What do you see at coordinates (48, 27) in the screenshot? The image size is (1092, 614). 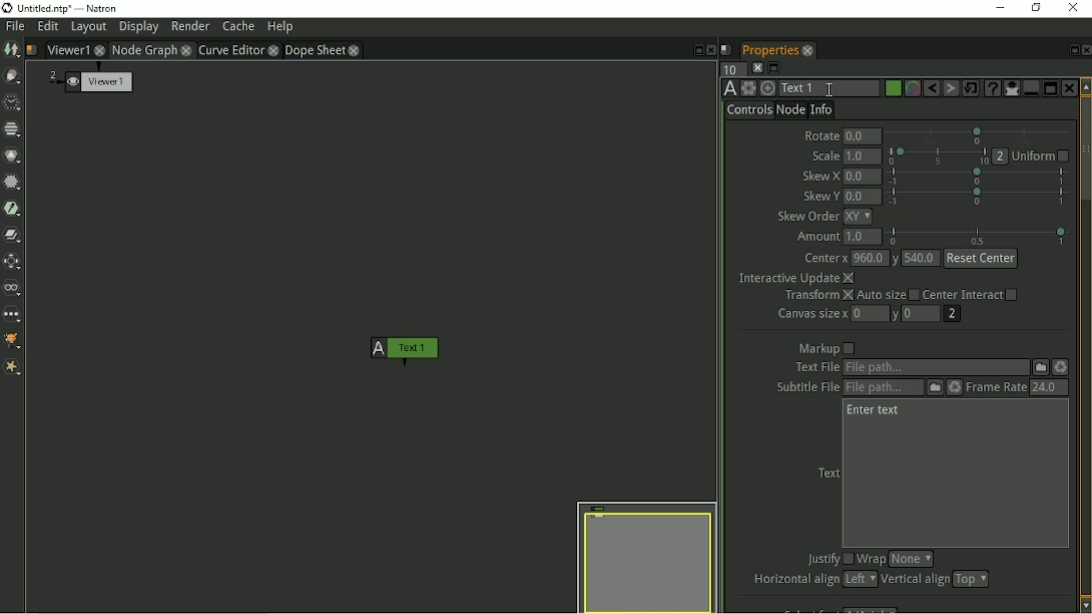 I see `Edit` at bounding box center [48, 27].